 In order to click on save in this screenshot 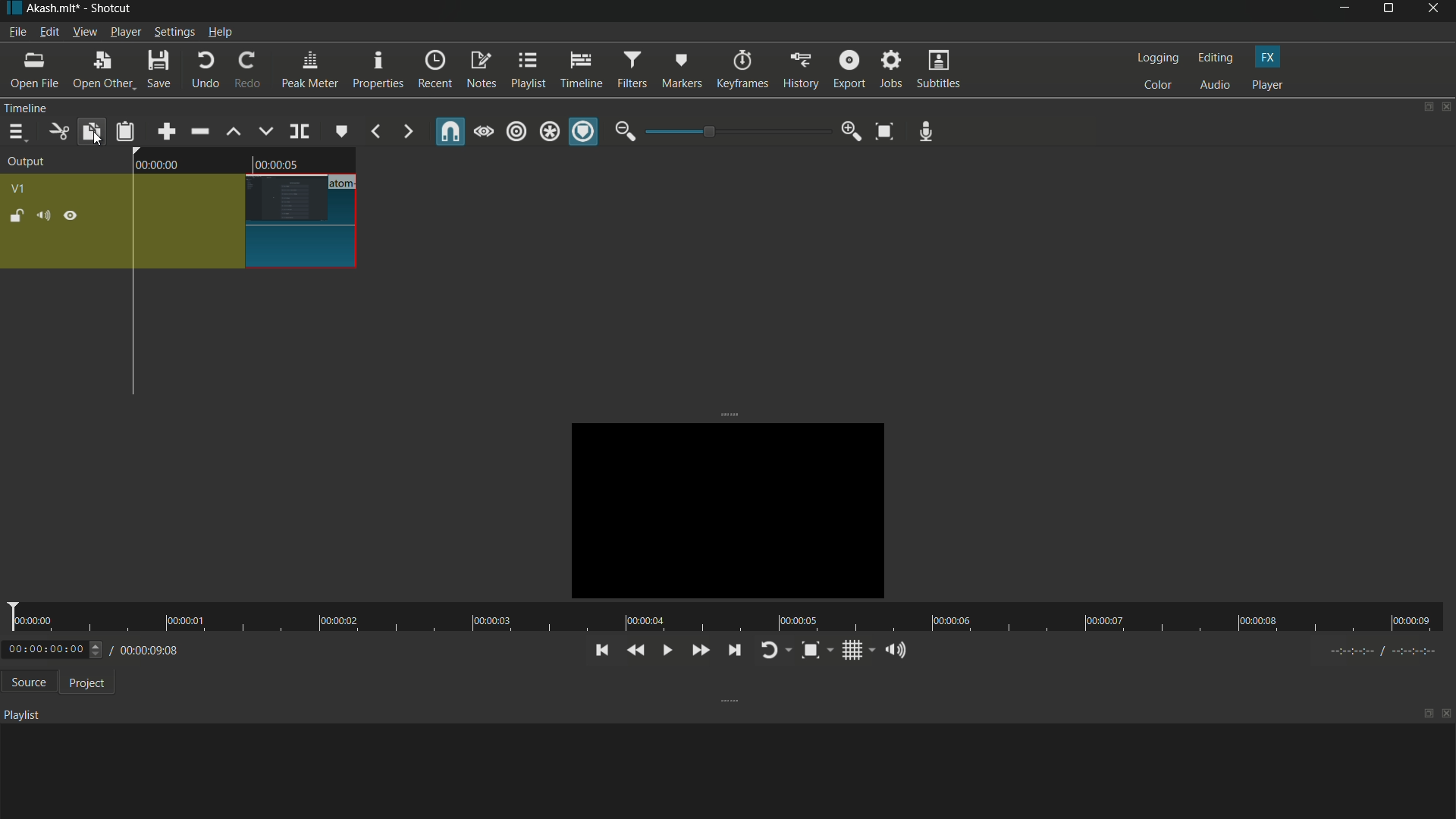, I will do `click(158, 70)`.